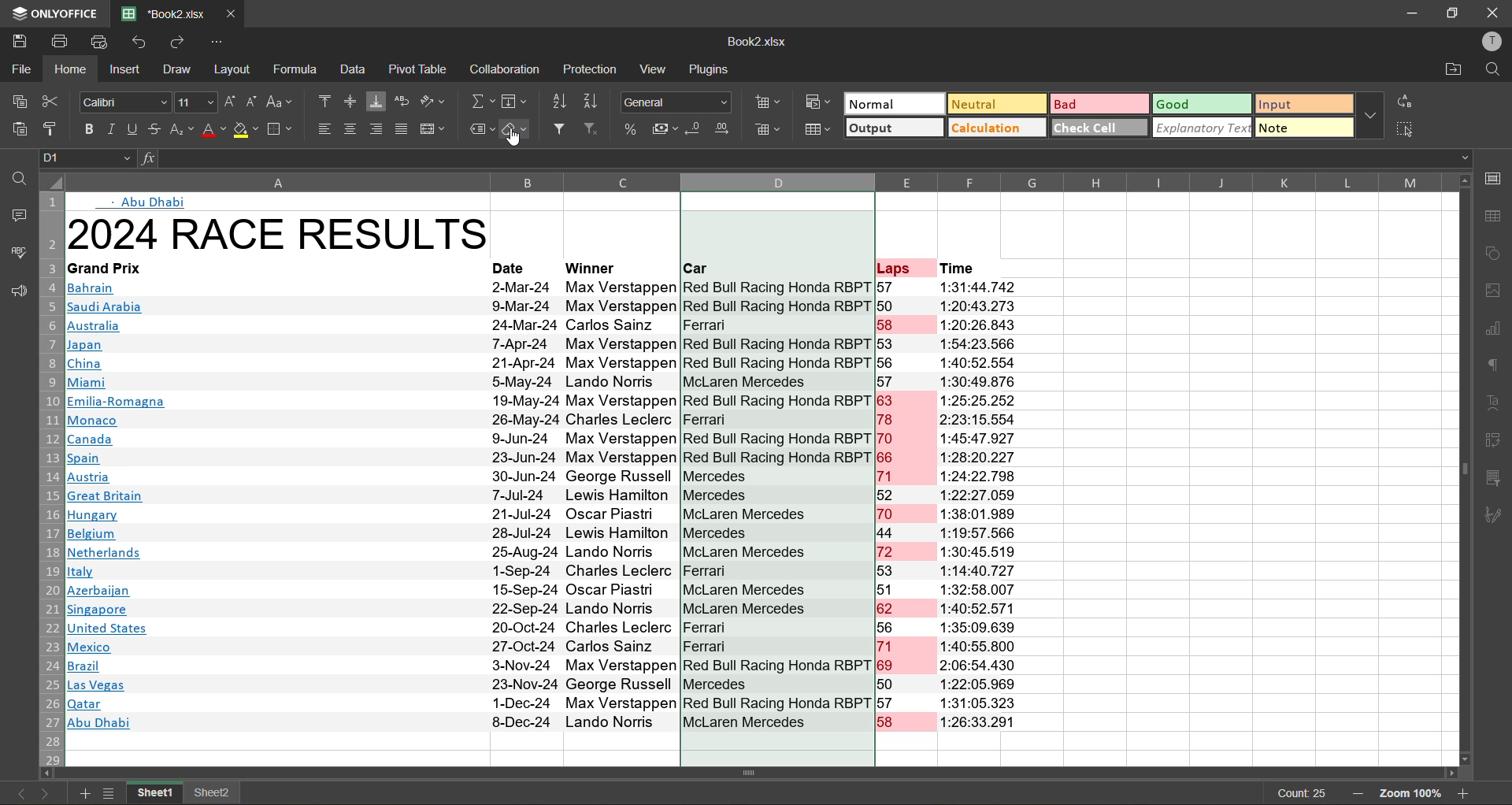 This screenshot has height=805, width=1512. I want to click on check cell, so click(1099, 129).